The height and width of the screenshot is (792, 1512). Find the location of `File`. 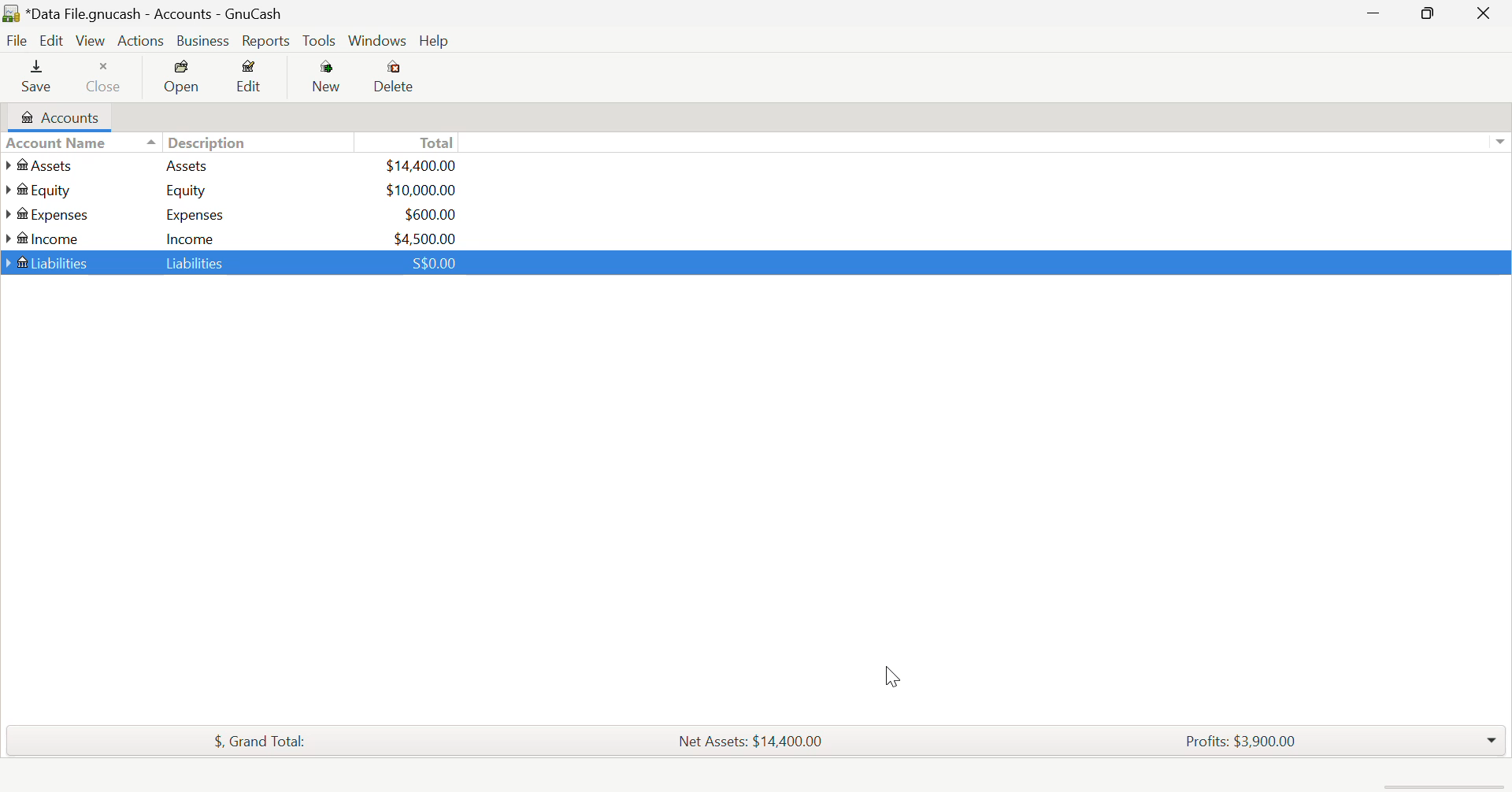

File is located at coordinates (15, 41).